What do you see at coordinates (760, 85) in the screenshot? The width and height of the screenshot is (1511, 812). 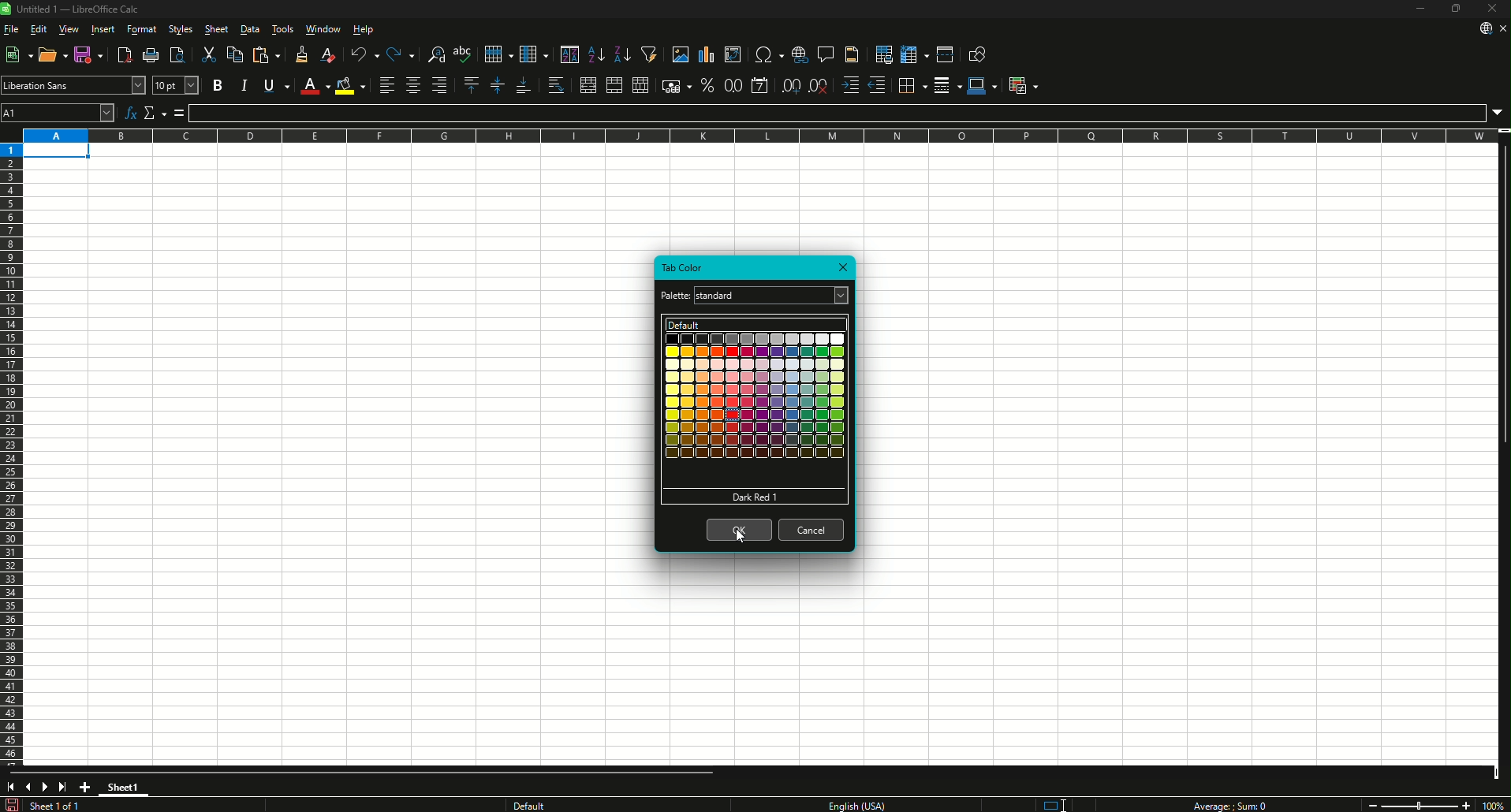 I see `Format as Date` at bounding box center [760, 85].